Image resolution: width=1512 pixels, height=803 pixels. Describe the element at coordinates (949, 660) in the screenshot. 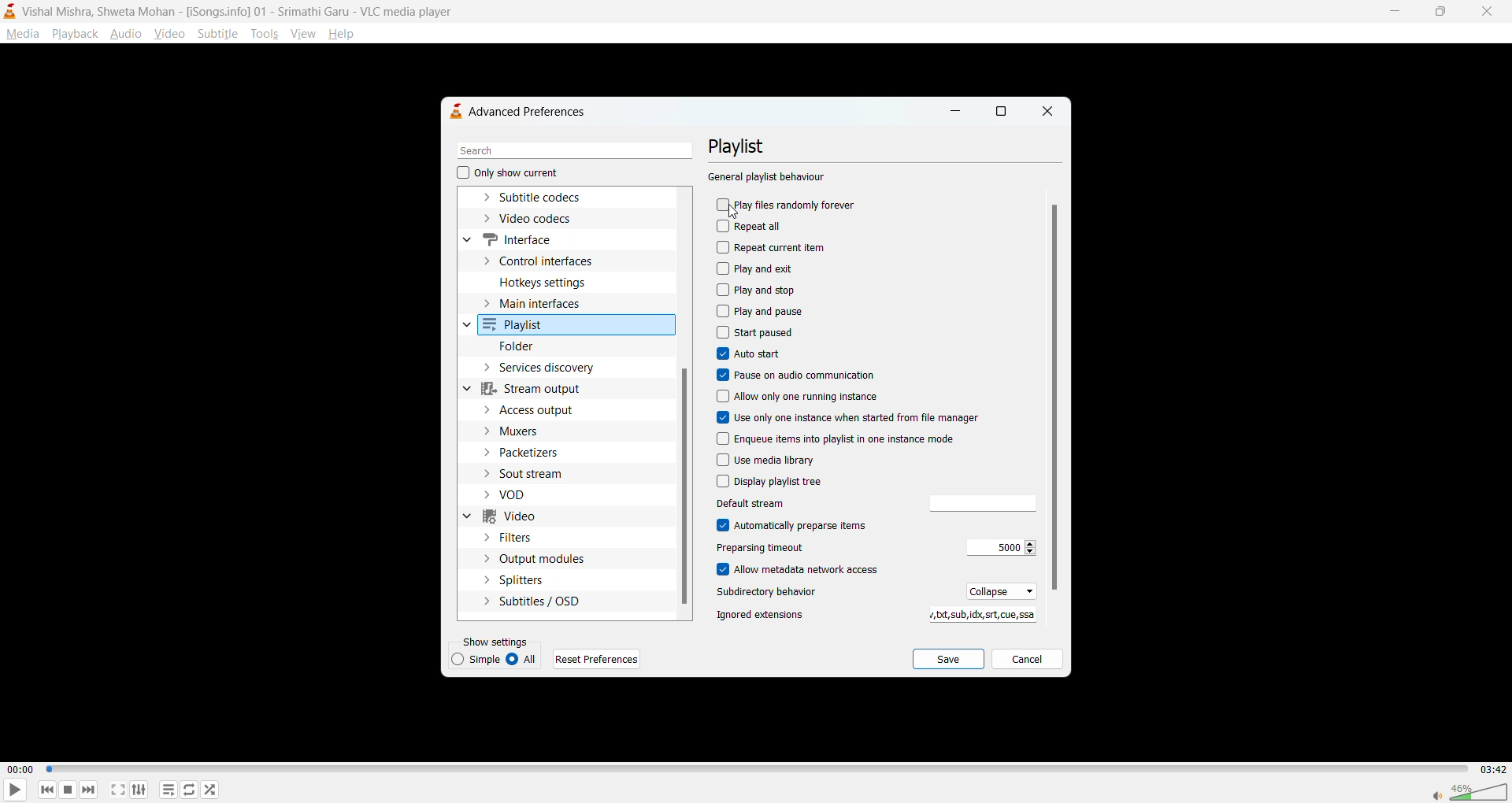

I see `save` at that location.